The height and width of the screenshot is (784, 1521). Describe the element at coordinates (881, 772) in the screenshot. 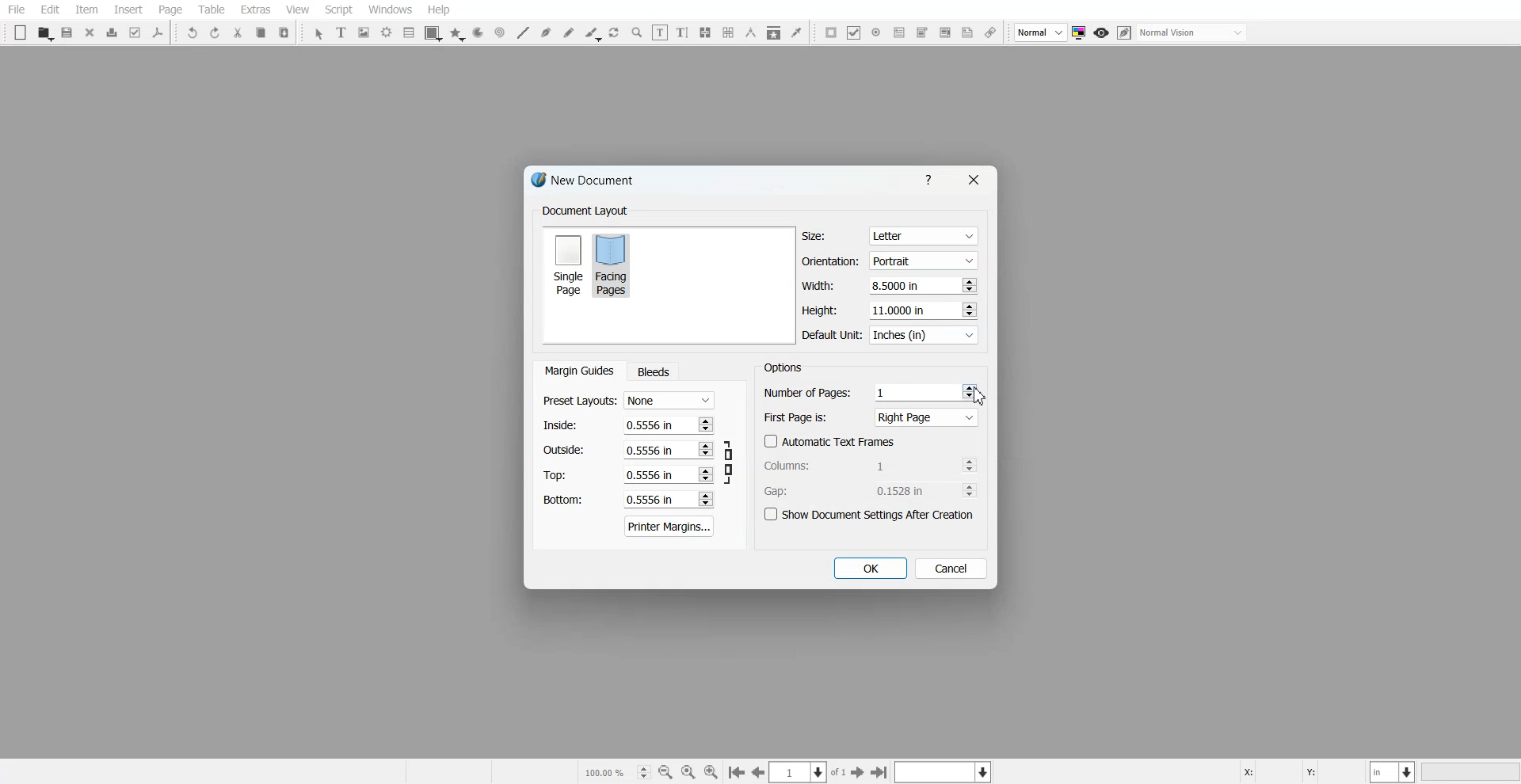

I see `Go to the first page` at that location.